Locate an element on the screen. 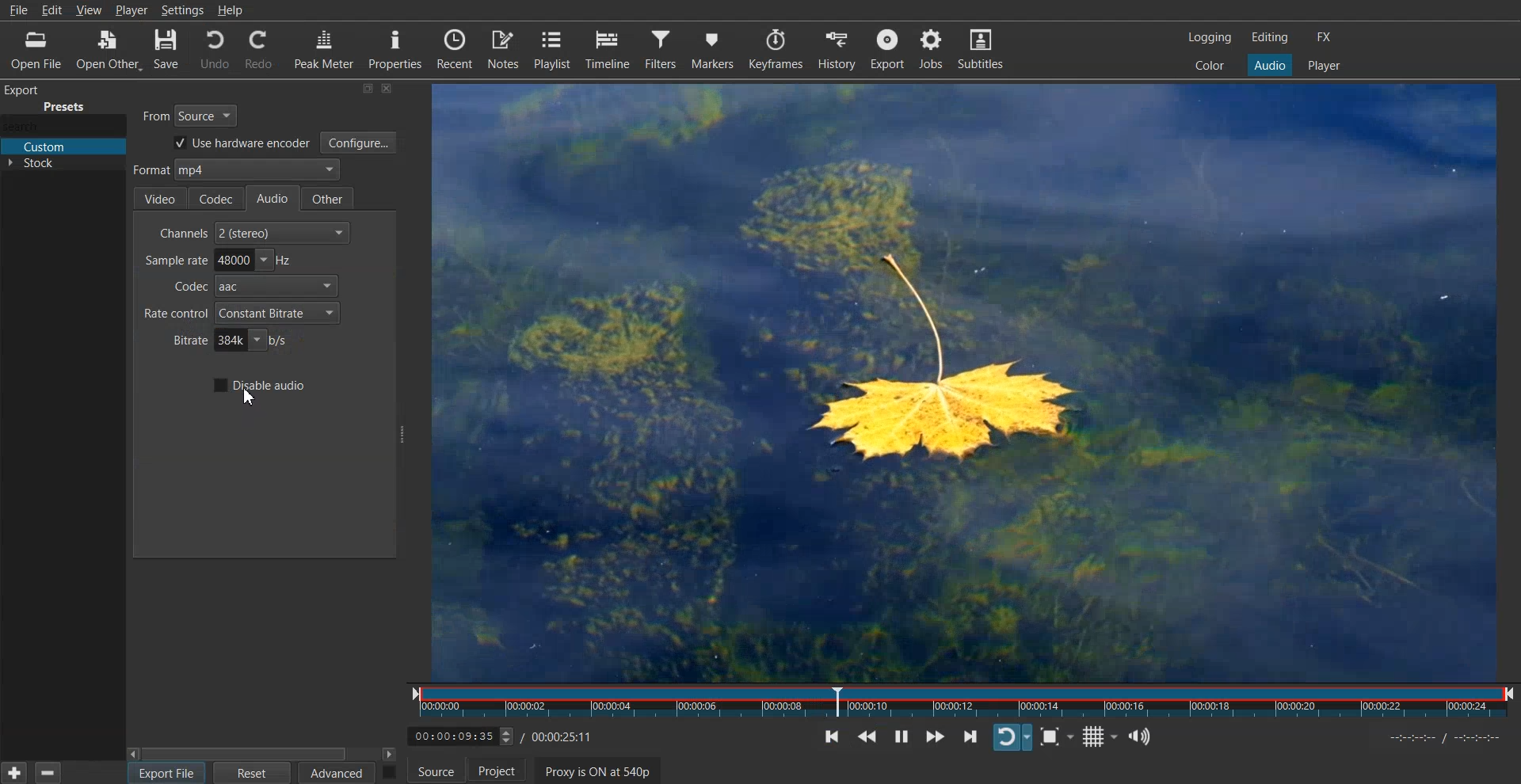 This screenshot has height=784, width=1521. Filters is located at coordinates (661, 49).